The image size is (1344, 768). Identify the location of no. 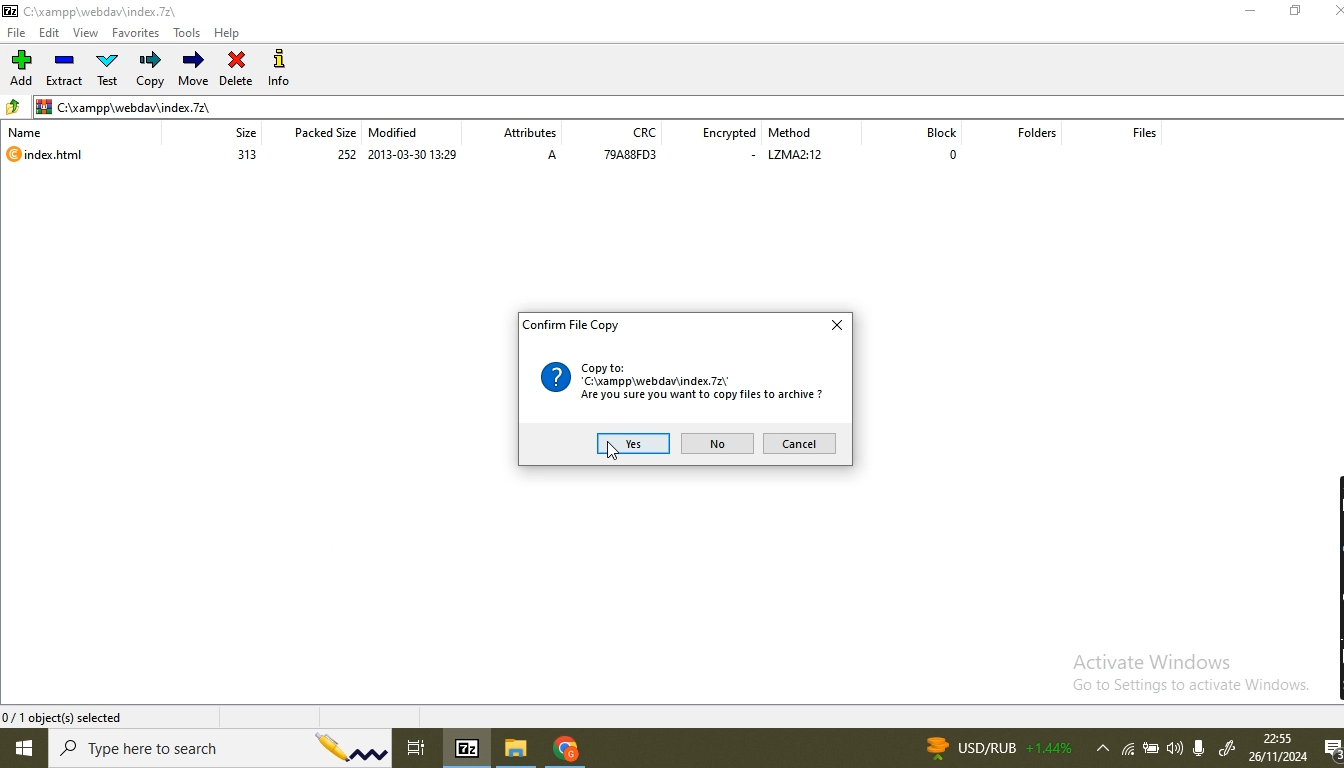
(719, 443).